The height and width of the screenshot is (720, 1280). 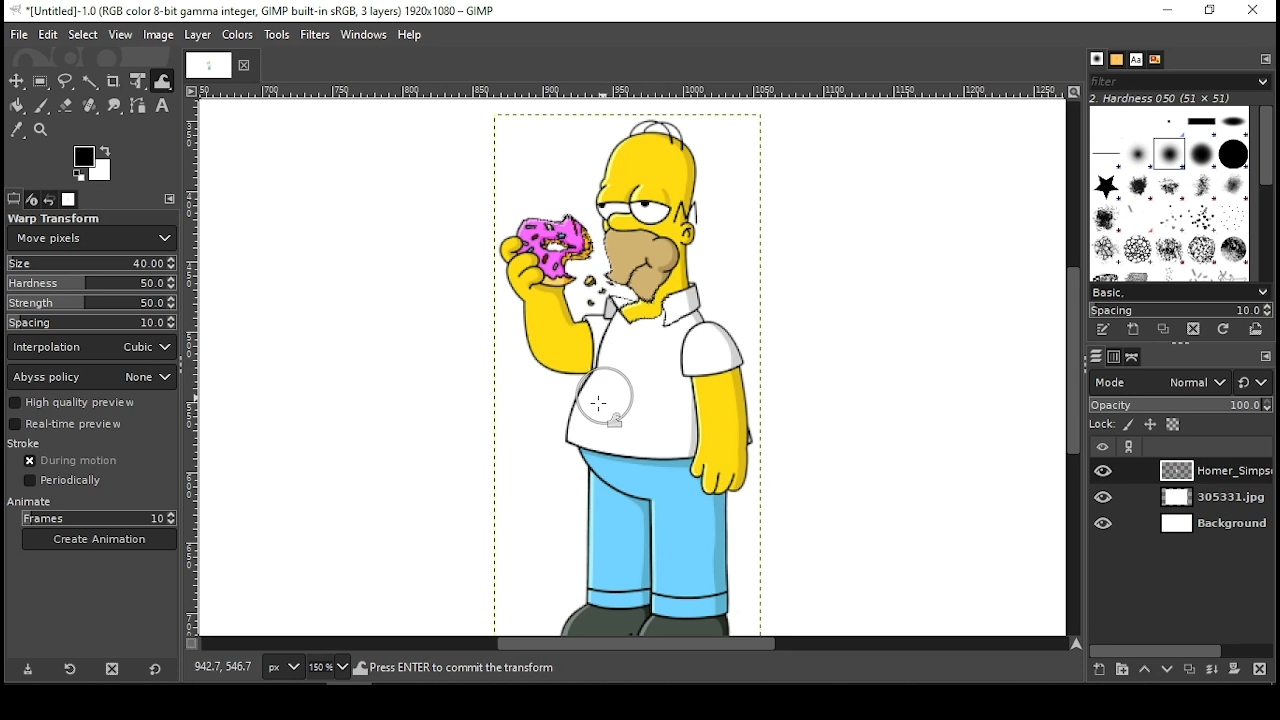 What do you see at coordinates (48, 35) in the screenshot?
I see `edit` at bounding box center [48, 35].